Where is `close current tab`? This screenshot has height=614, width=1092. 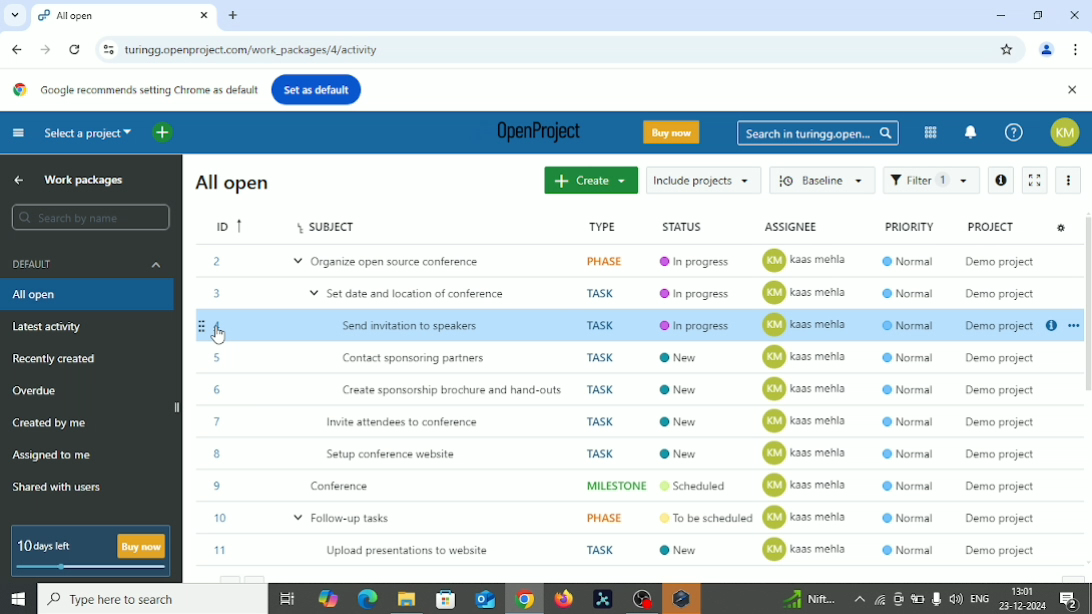 close current tab is located at coordinates (203, 17).